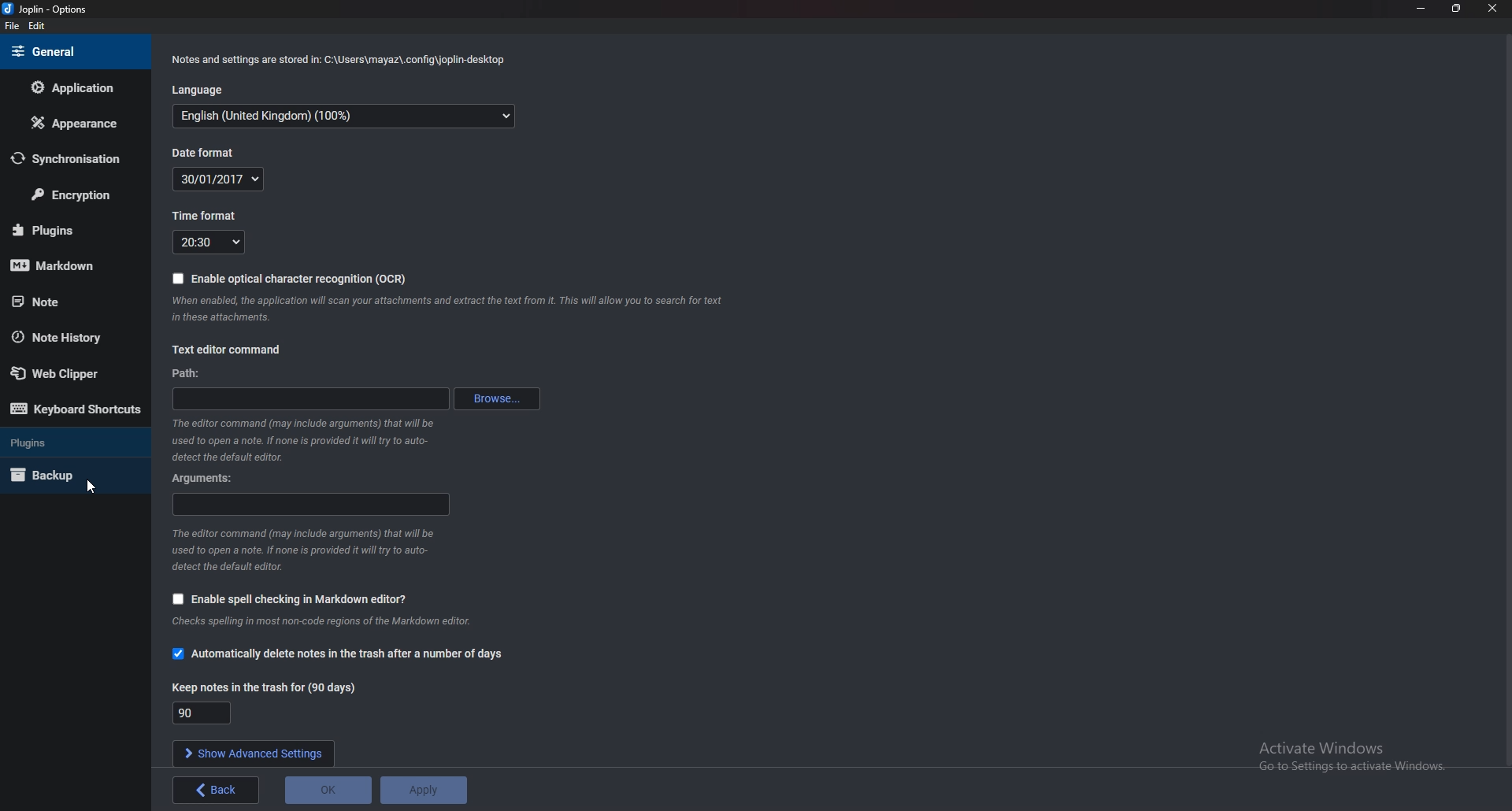 This screenshot has height=811, width=1512. Describe the element at coordinates (290, 279) in the screenshot. I see `Enable OCR` at that location.